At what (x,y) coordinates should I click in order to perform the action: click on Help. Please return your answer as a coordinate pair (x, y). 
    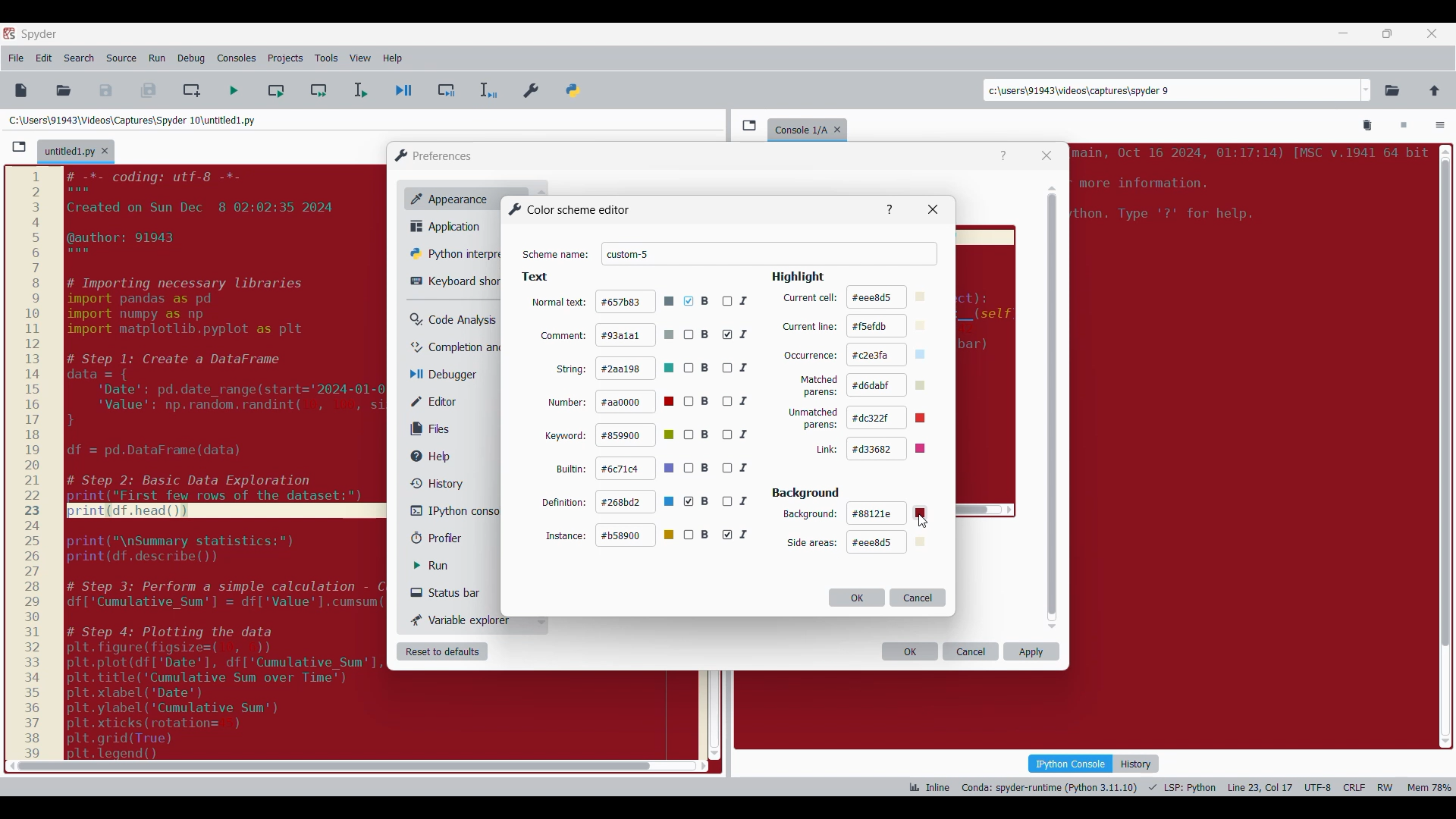
    Looking at the image, I should click on (438, 457).